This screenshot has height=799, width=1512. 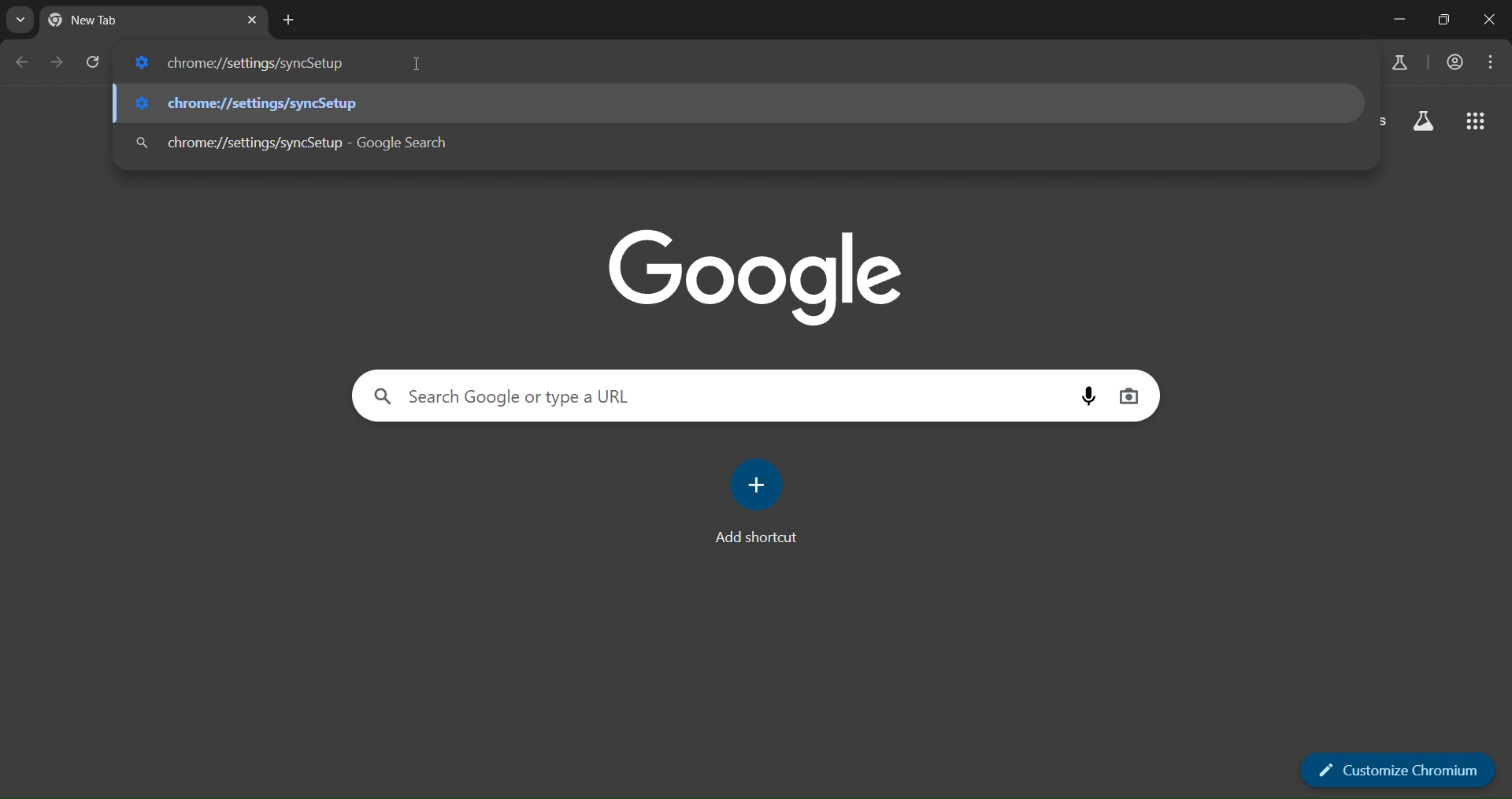 What do you see at coordinates (1091, 398) in the screenshot?
I see `voice search` at bounding box center [1091, 398].